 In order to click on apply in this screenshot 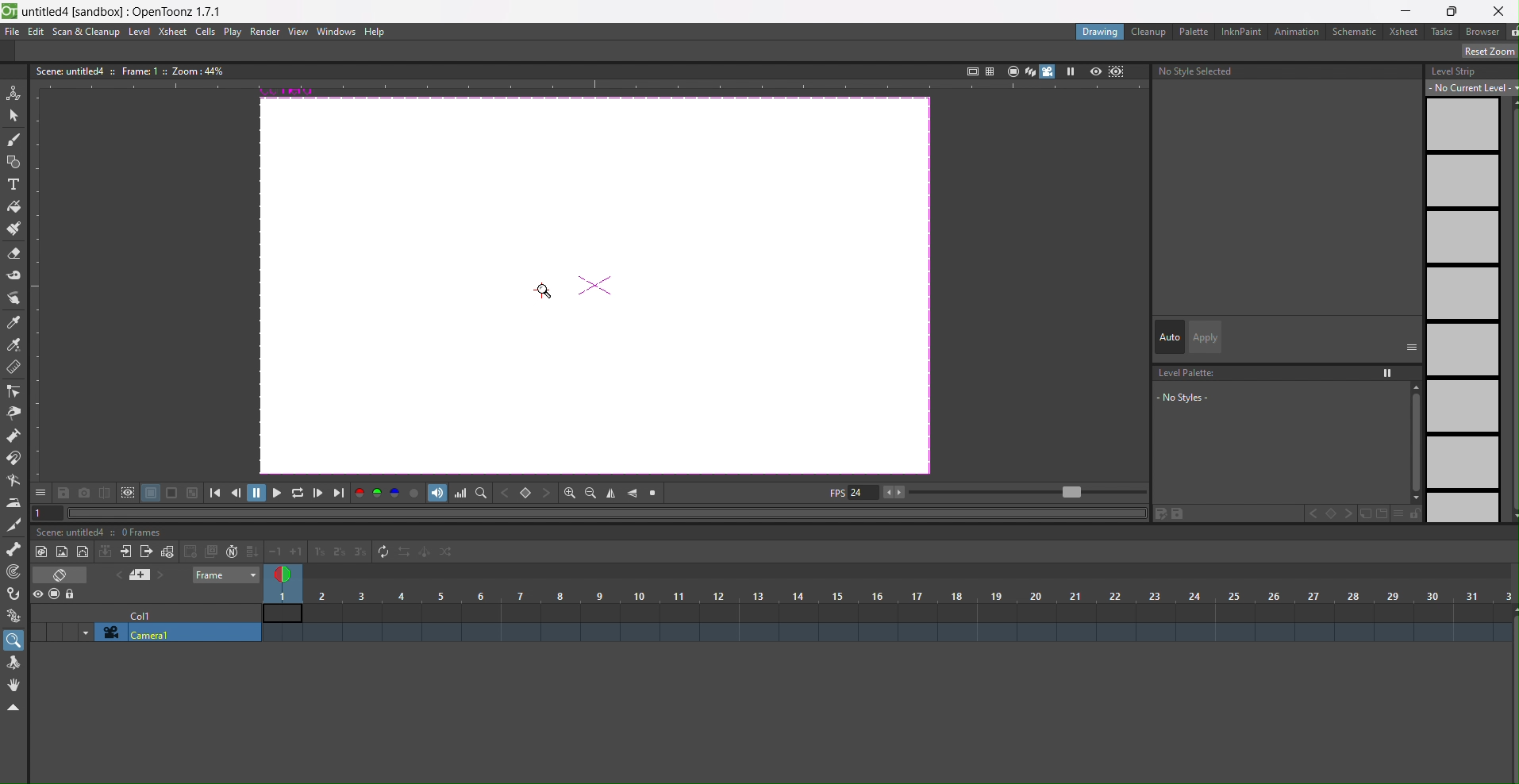, I will do `click(1203, 336)`.